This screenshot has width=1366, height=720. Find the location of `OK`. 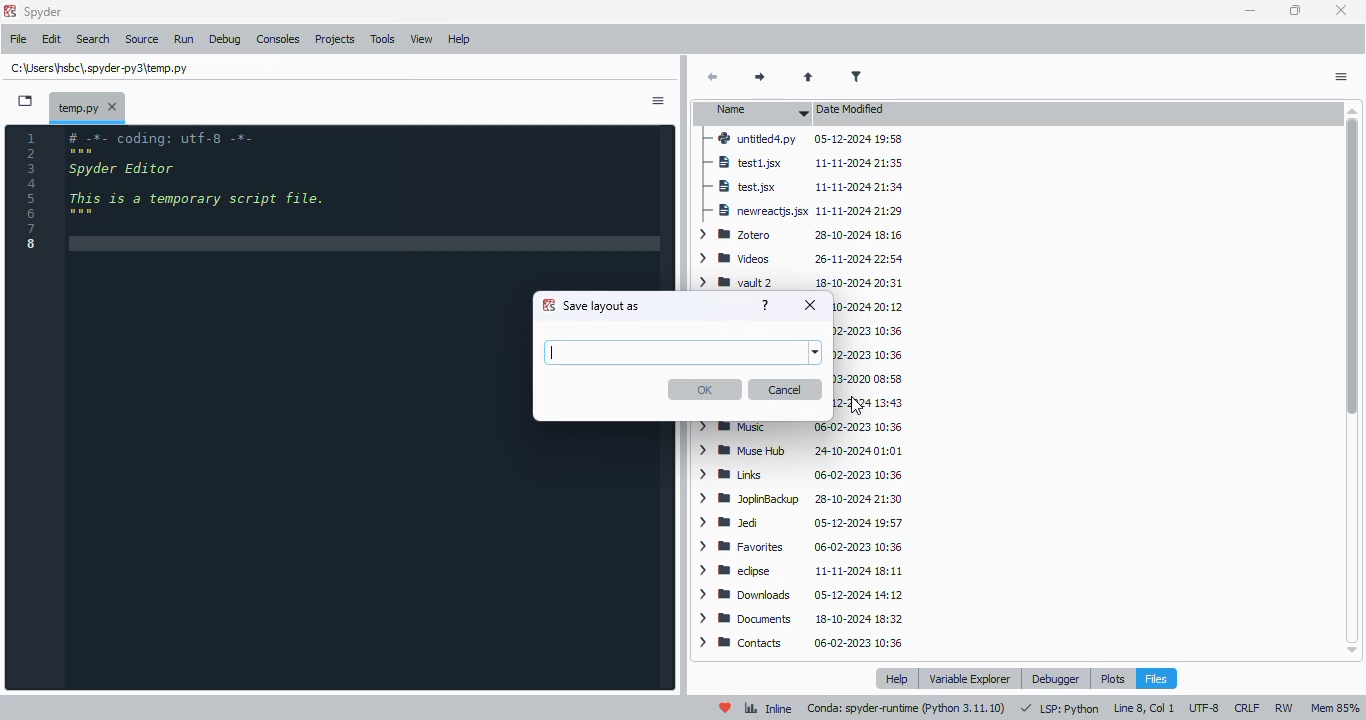

OK is located at coordinates (704, 389).